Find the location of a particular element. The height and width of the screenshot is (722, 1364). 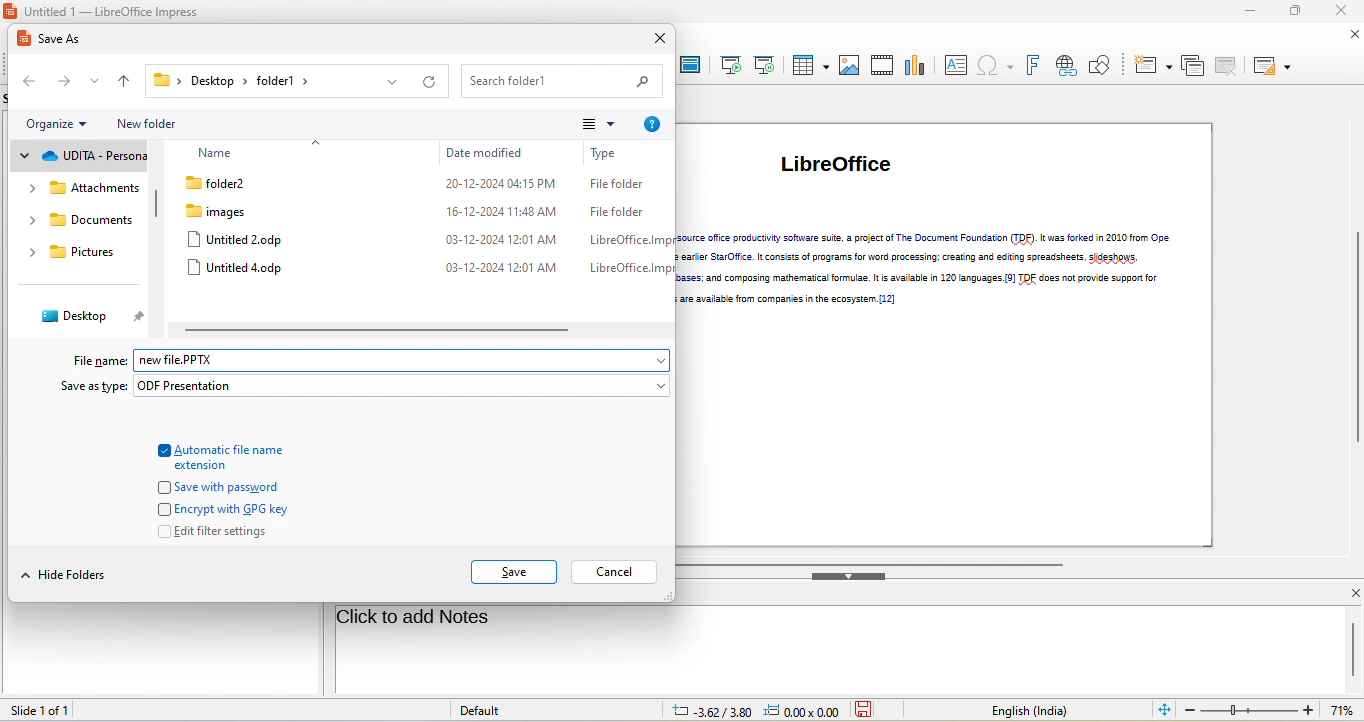

automatic file name extension is located at coordinates (223, 453).